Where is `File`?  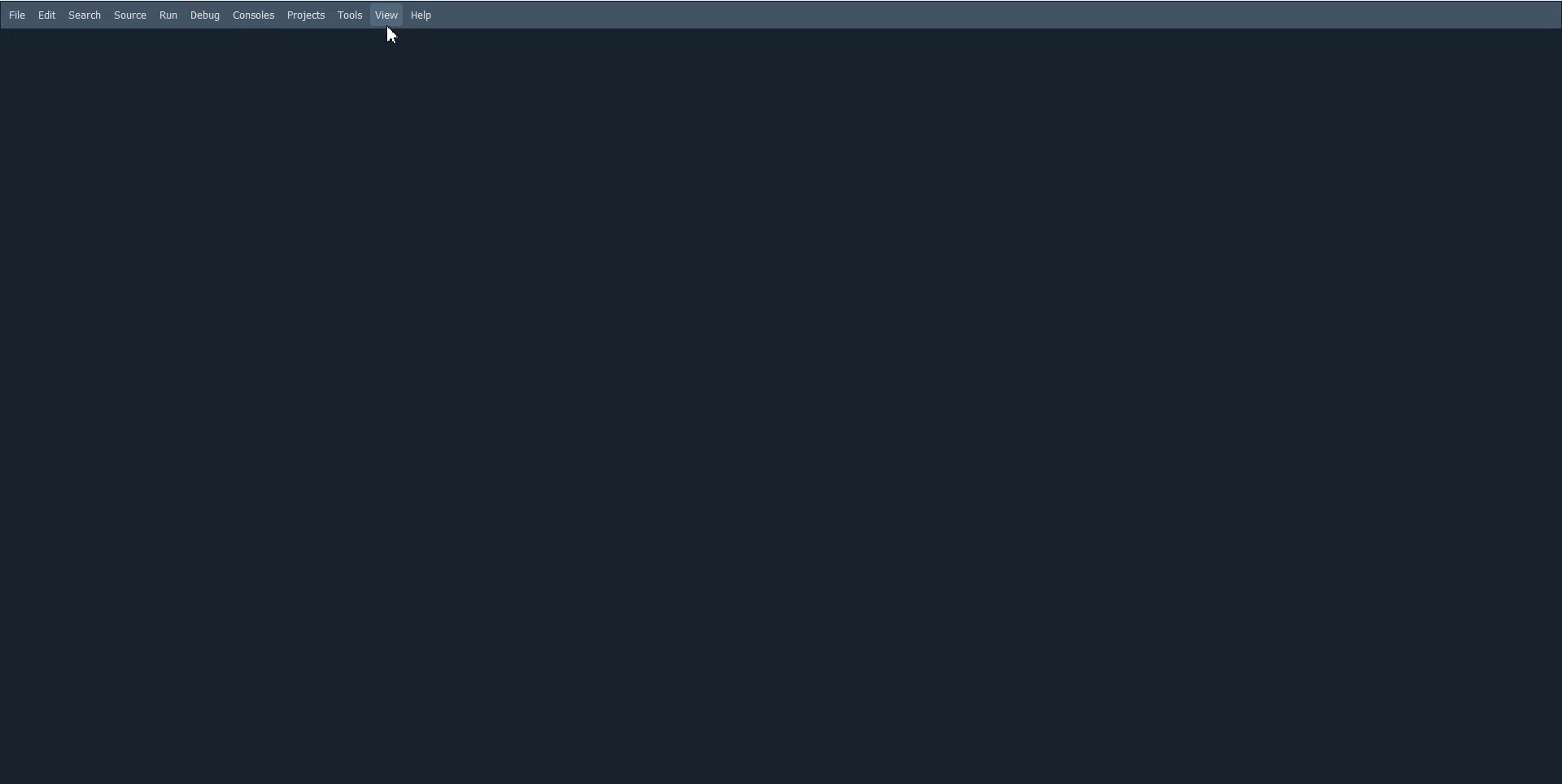
File is located at coordinates (18, 15).